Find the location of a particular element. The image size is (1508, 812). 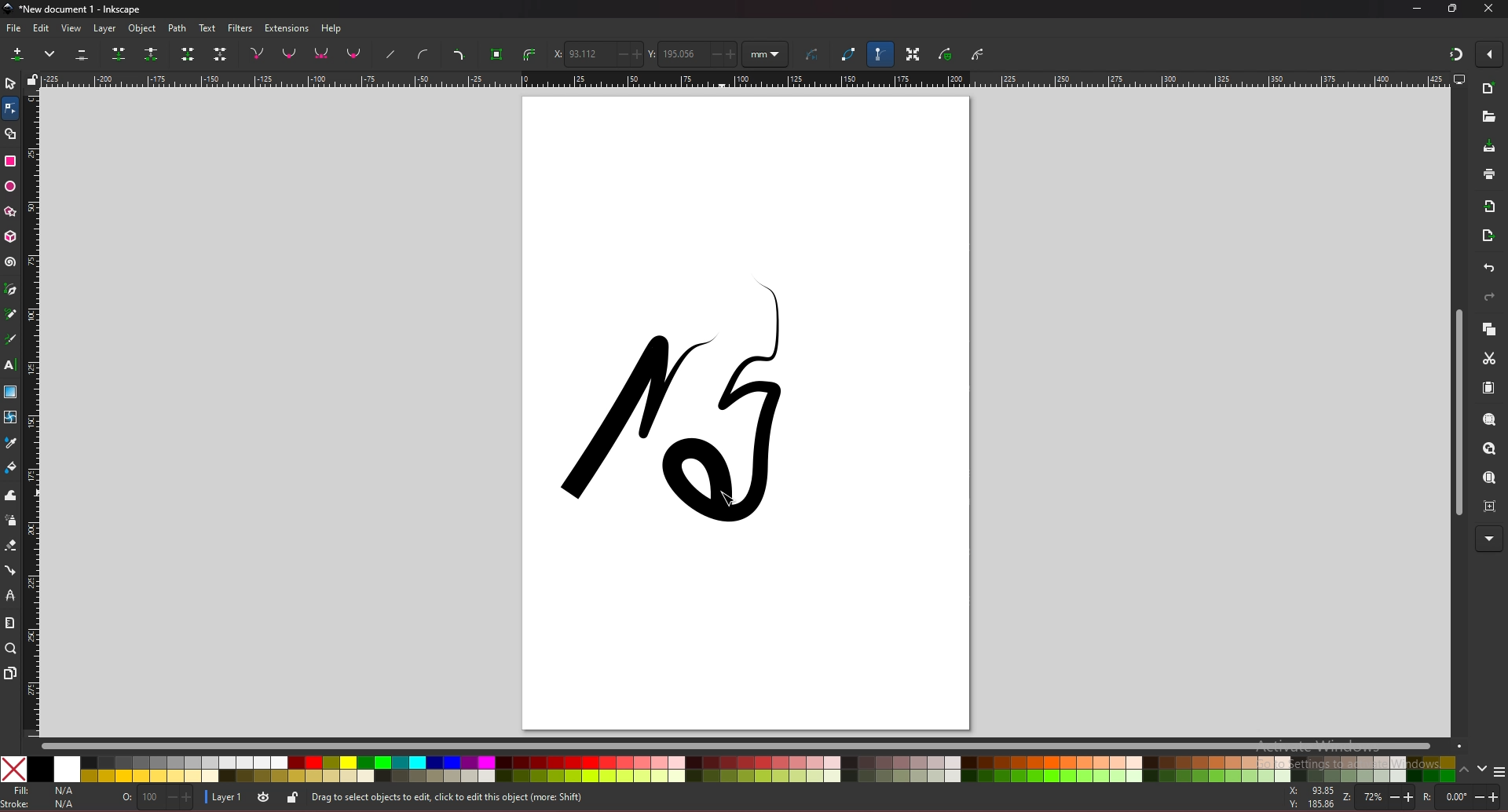

3d box is located at coordinates (11, 237).